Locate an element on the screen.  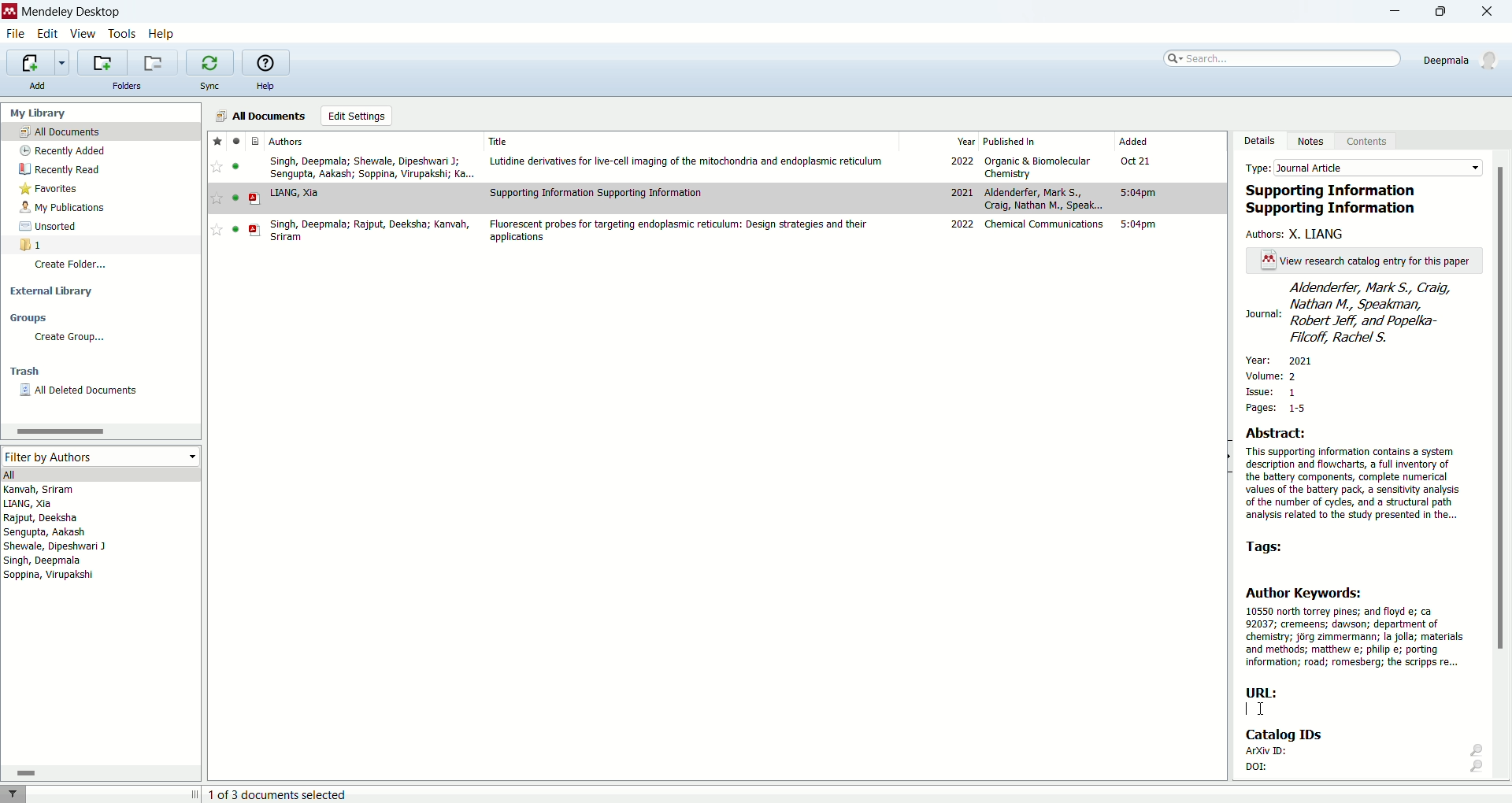
1 is located at coordinates (31, 244).